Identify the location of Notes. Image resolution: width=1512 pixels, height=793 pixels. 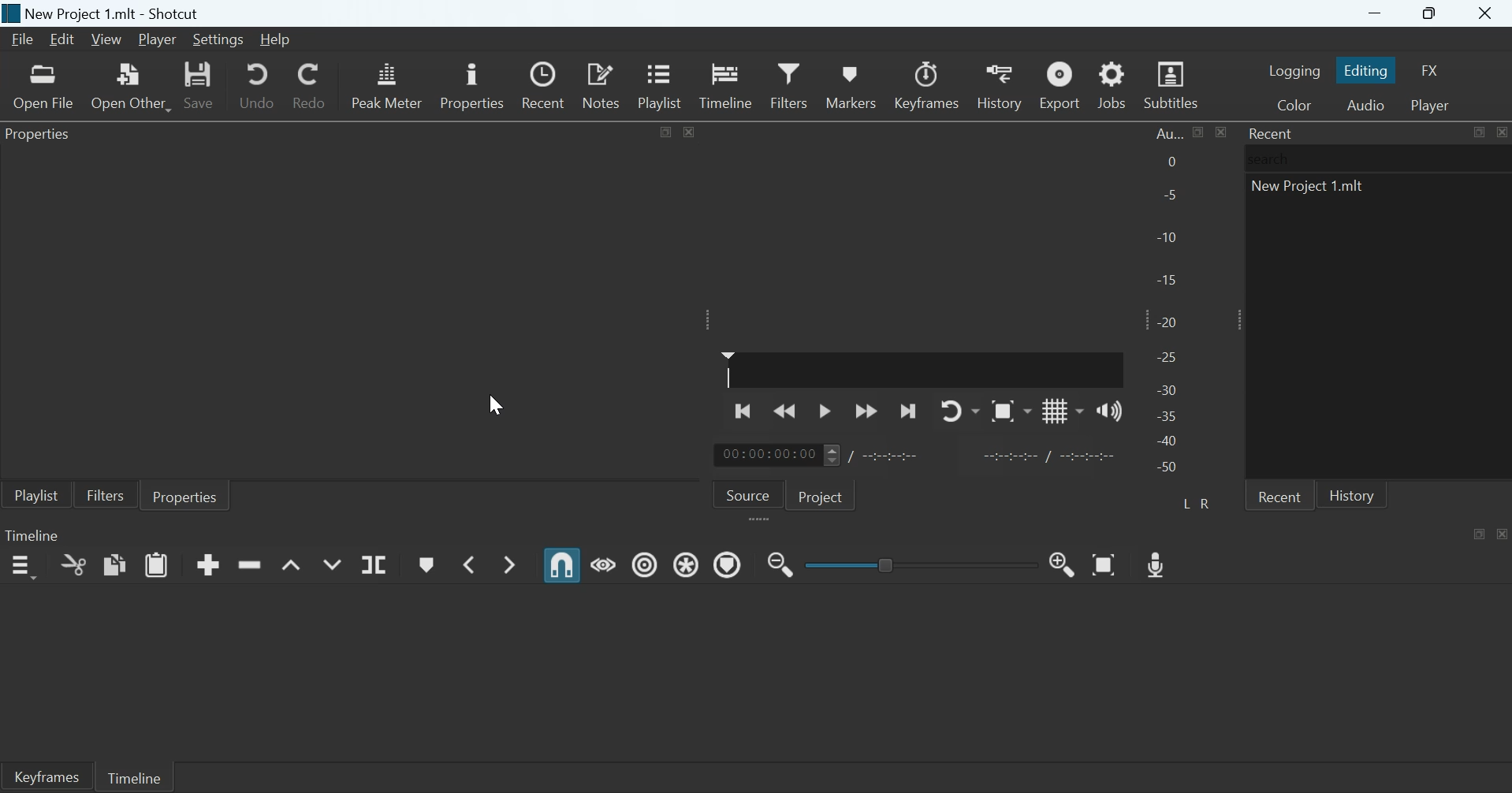
(603, 84).